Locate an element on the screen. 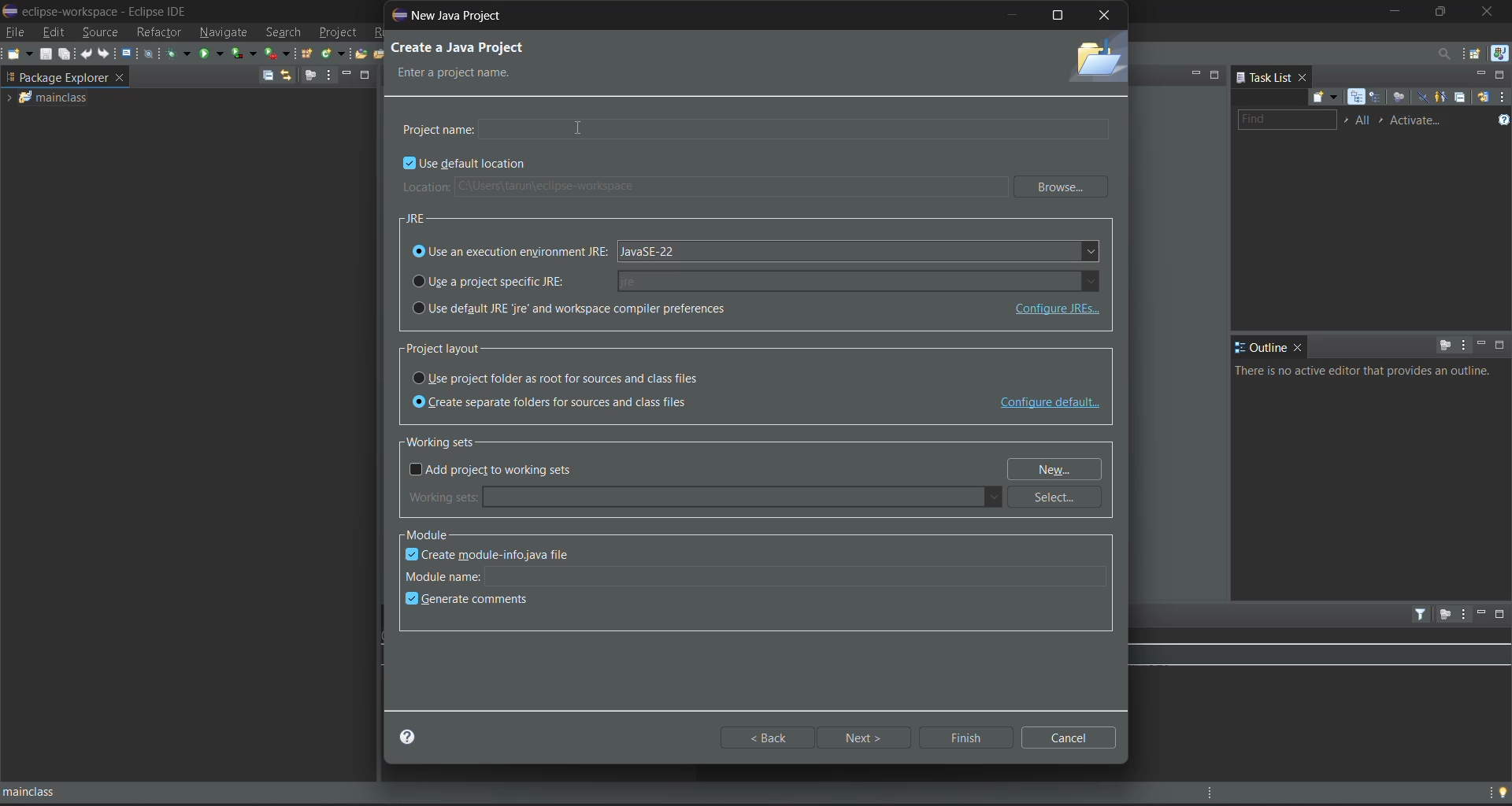  folder is located at coordinates (1095, 60).